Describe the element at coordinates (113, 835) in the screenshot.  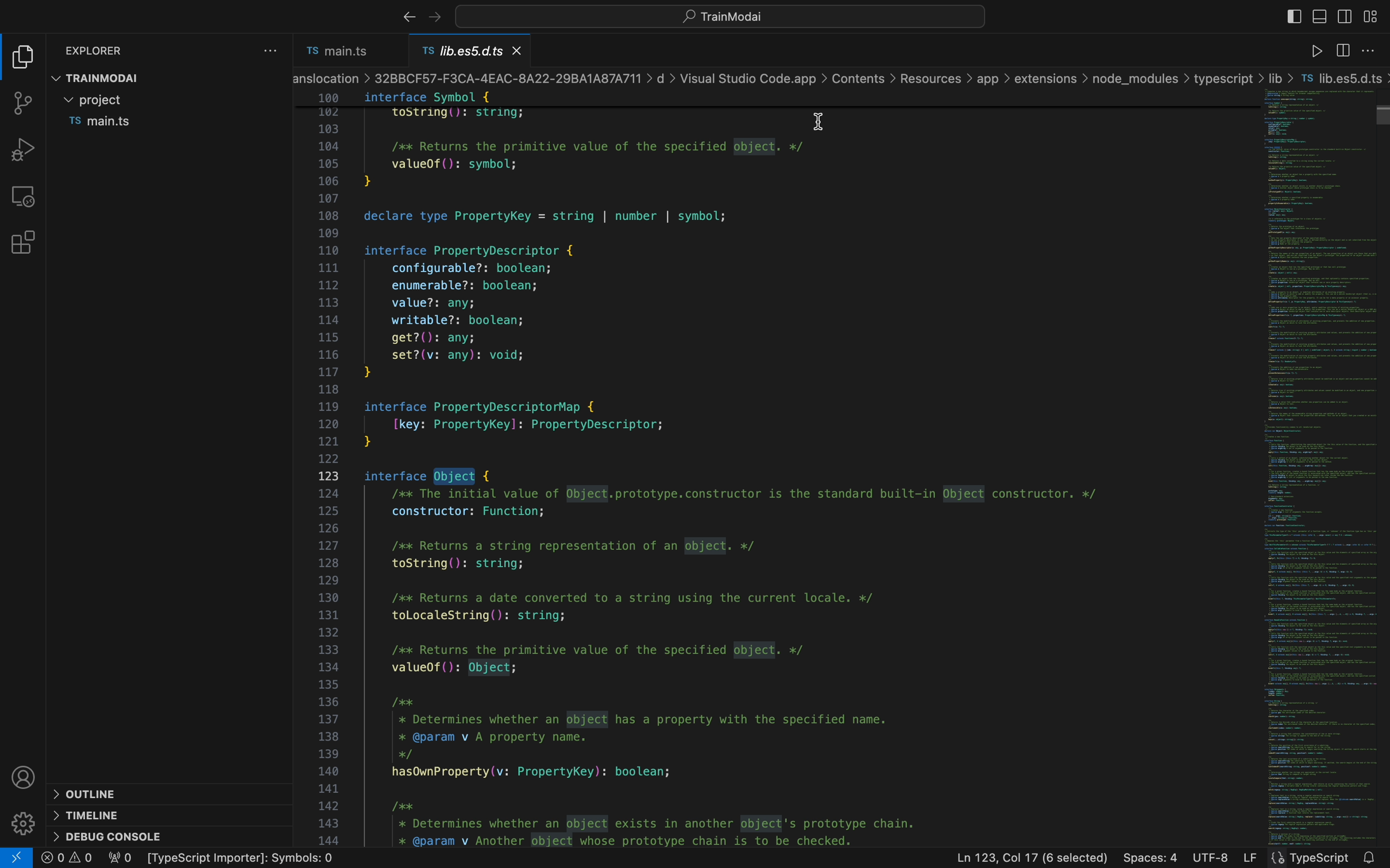
I see `debug console` at that location.